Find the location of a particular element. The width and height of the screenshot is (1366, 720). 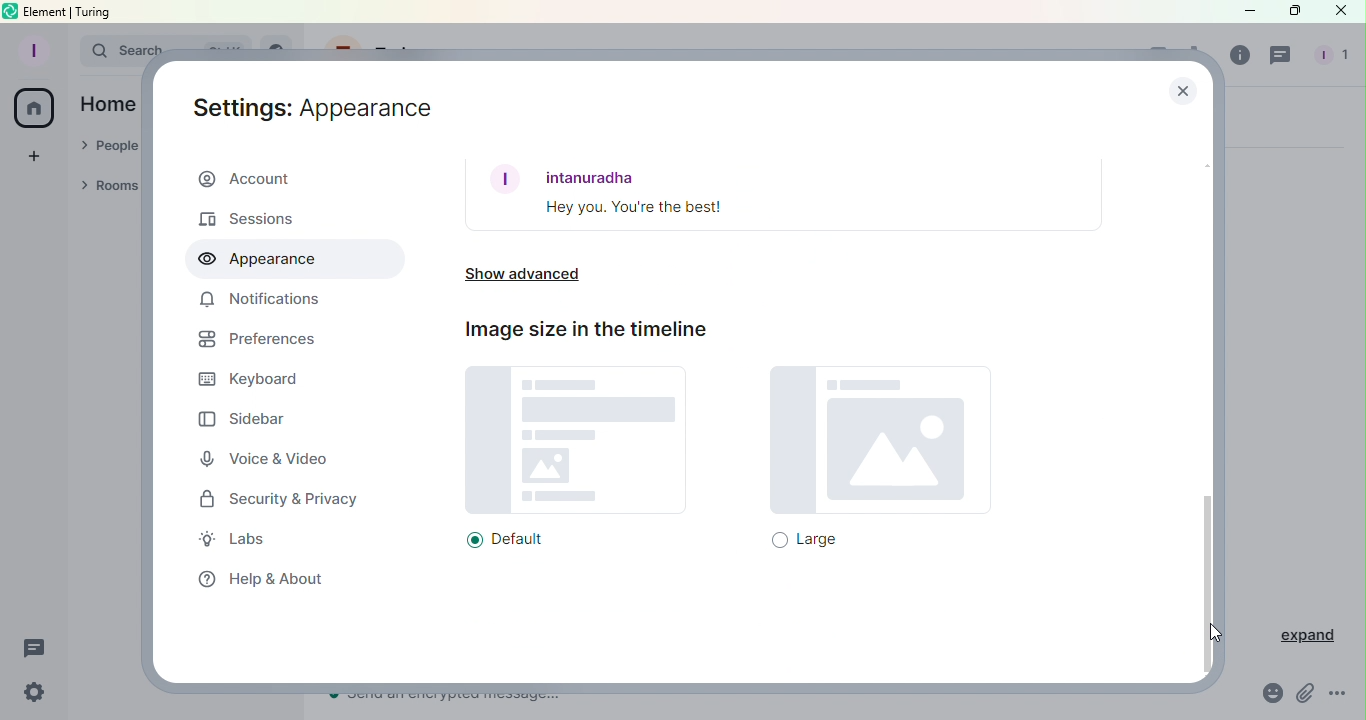

Help and about is located at coordinates (255, 577).